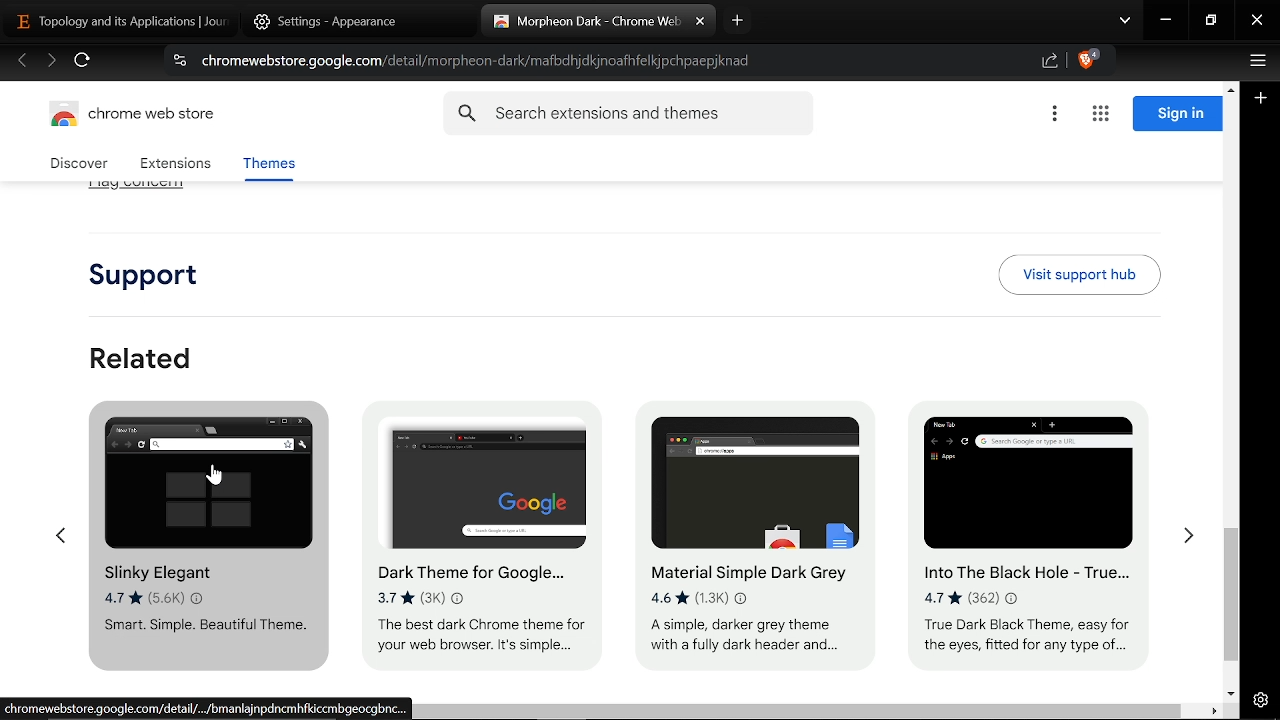 The height and width of the screenshot is (720, 1280). Describe the element at coordinates (1232, 596) in the screenshot. I see `Vertical scrollbar` at that location.